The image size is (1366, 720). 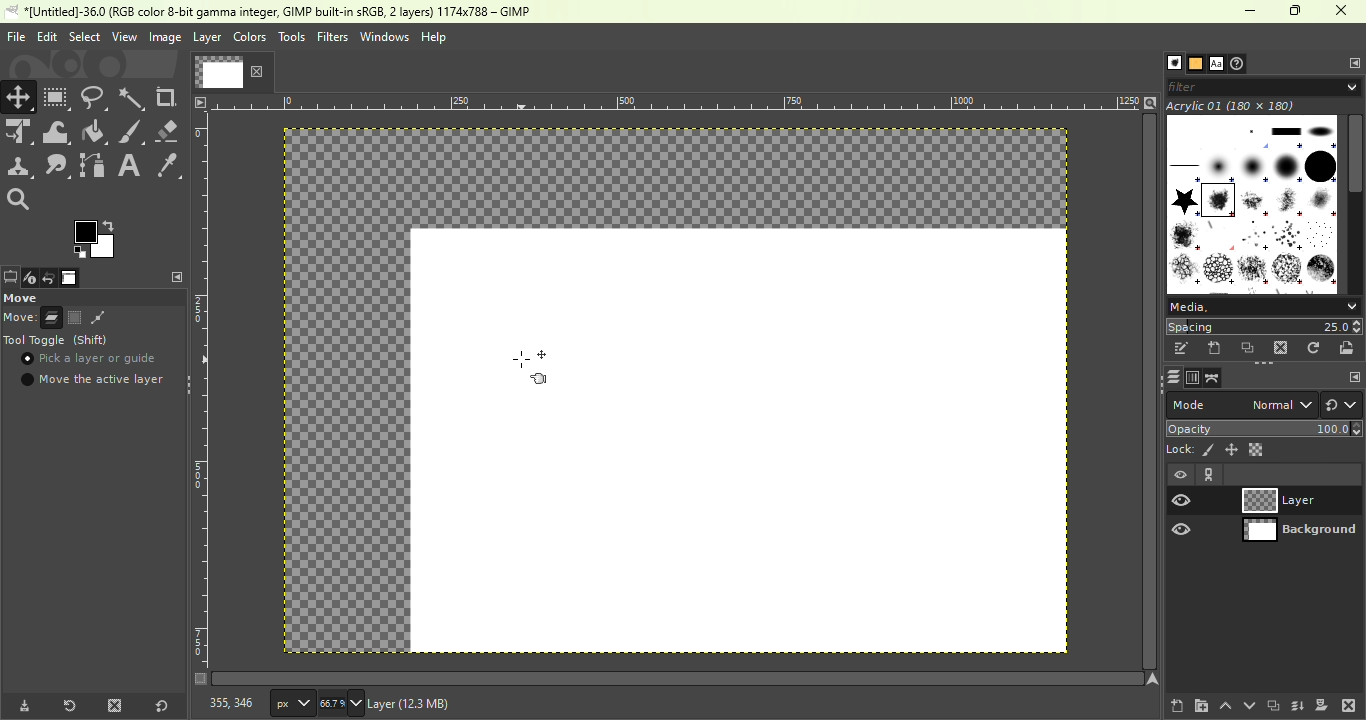 I want to click on Image box, so click(x=1252, y=199).